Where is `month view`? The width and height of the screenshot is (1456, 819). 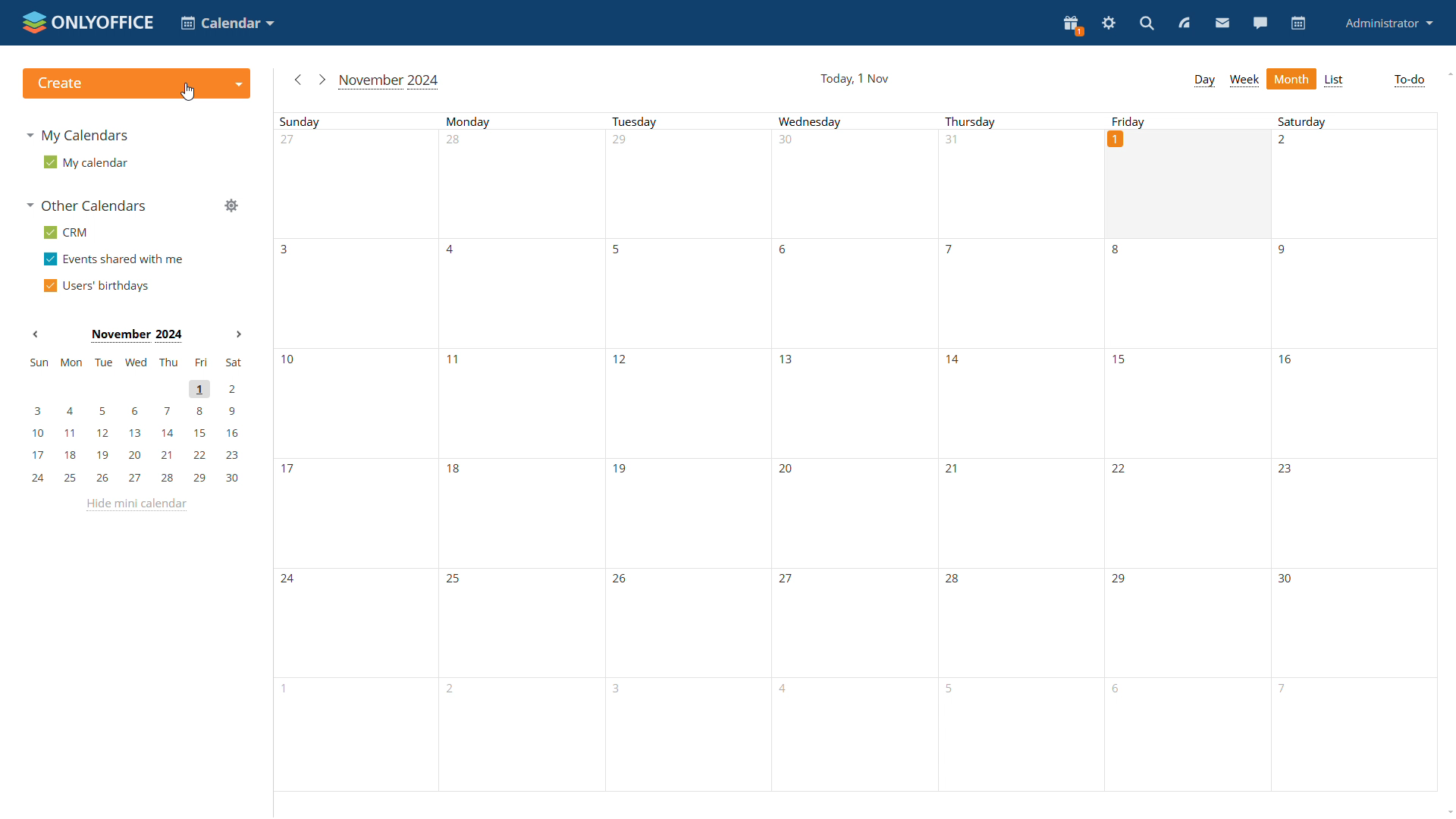 month view is located at coordinates (1292, 77).